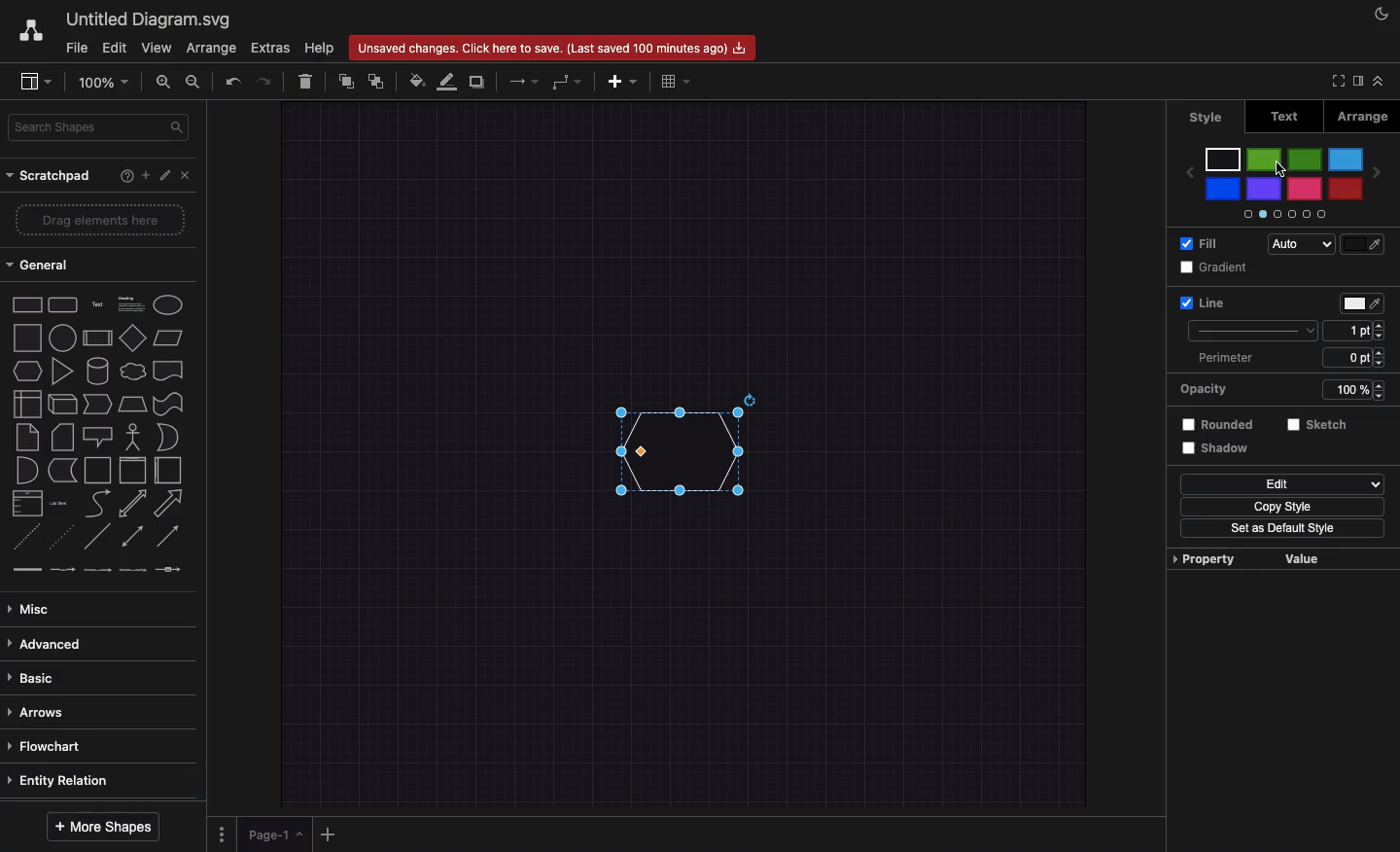 The image size is (1400, 852). What do you see at coordinates (625, 82) in the screenshot?
I see `Add` at bounding box center [625, 82].